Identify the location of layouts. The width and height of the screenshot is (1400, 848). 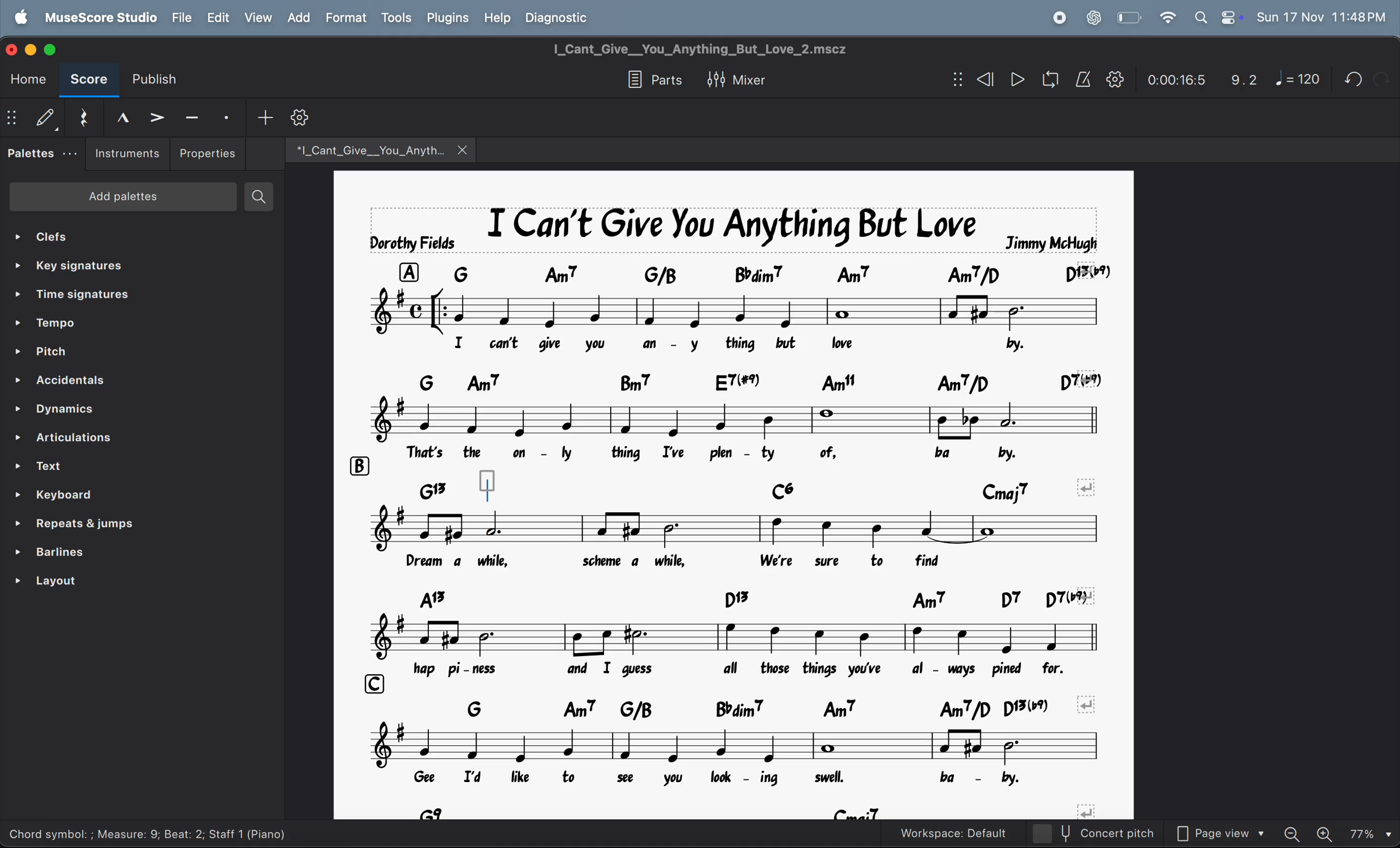
(118, 586).